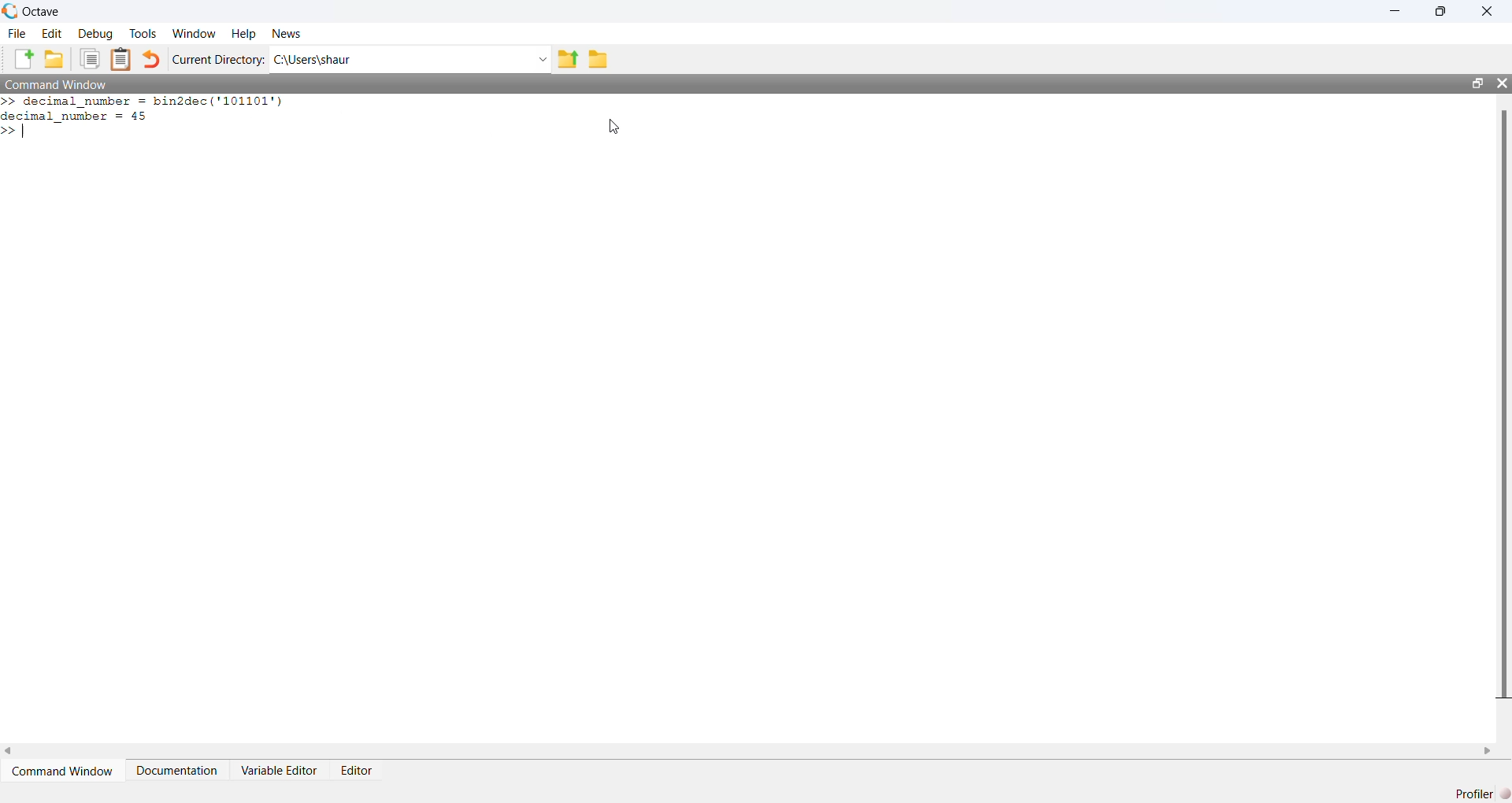  Describe the element at coordinates (1479, 83) in the screenshot. I see `open in separate window` at that location.